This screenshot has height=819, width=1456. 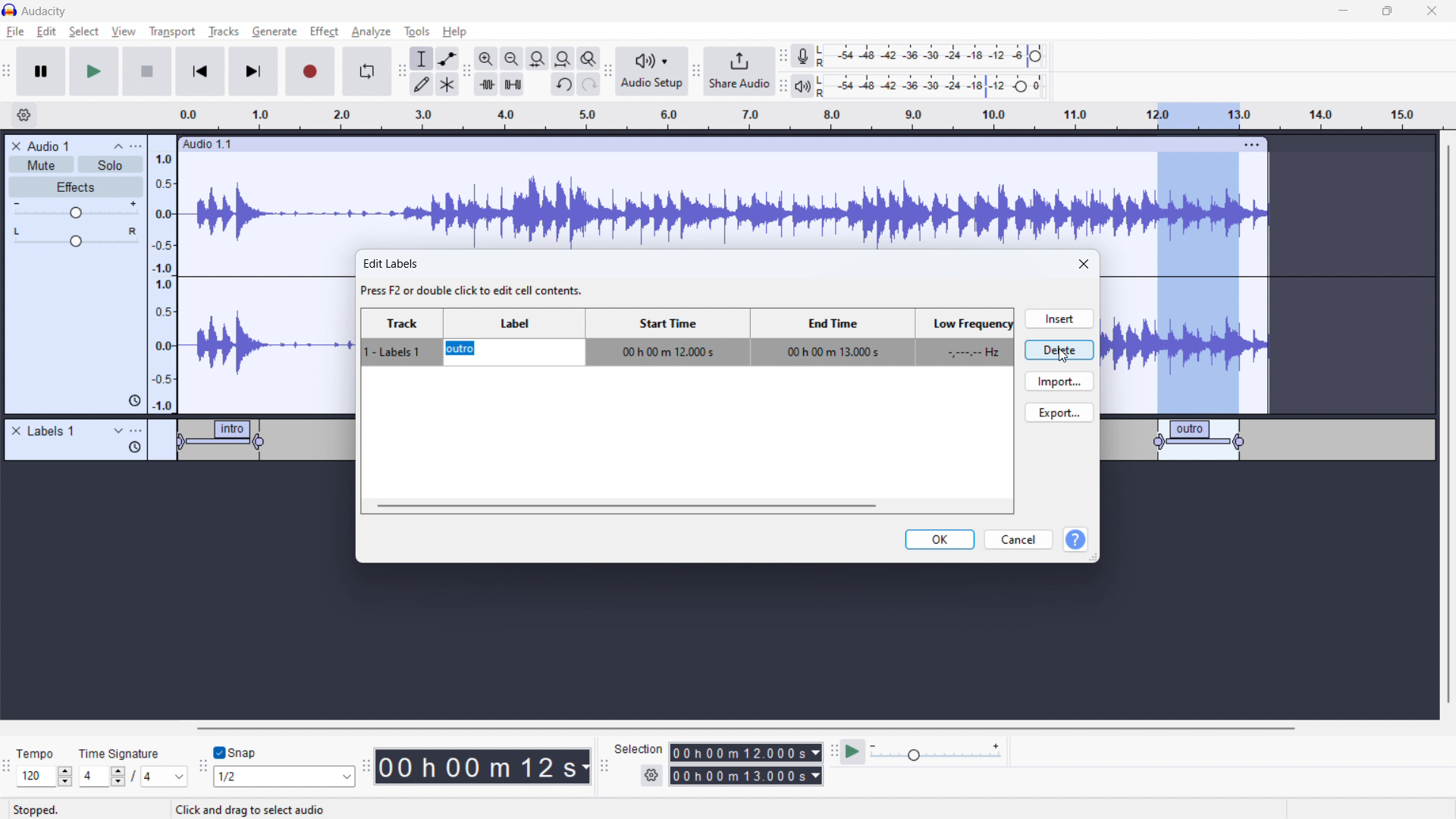 I want to click on timestamp, so click(x=483, y=765).